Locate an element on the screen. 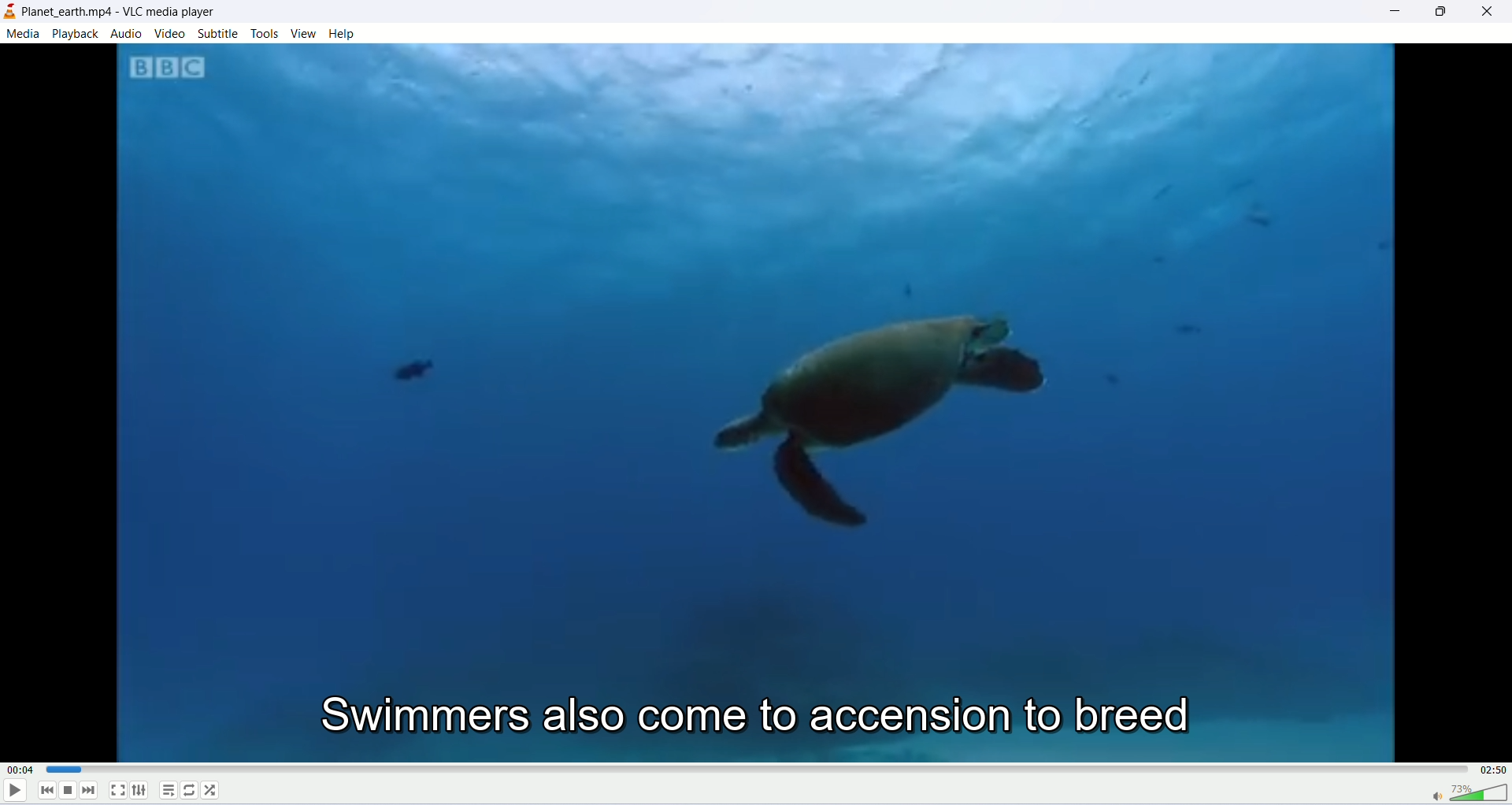 This screenshot has width=1512, height=805. progress bar is located at coordinates (754, 771).